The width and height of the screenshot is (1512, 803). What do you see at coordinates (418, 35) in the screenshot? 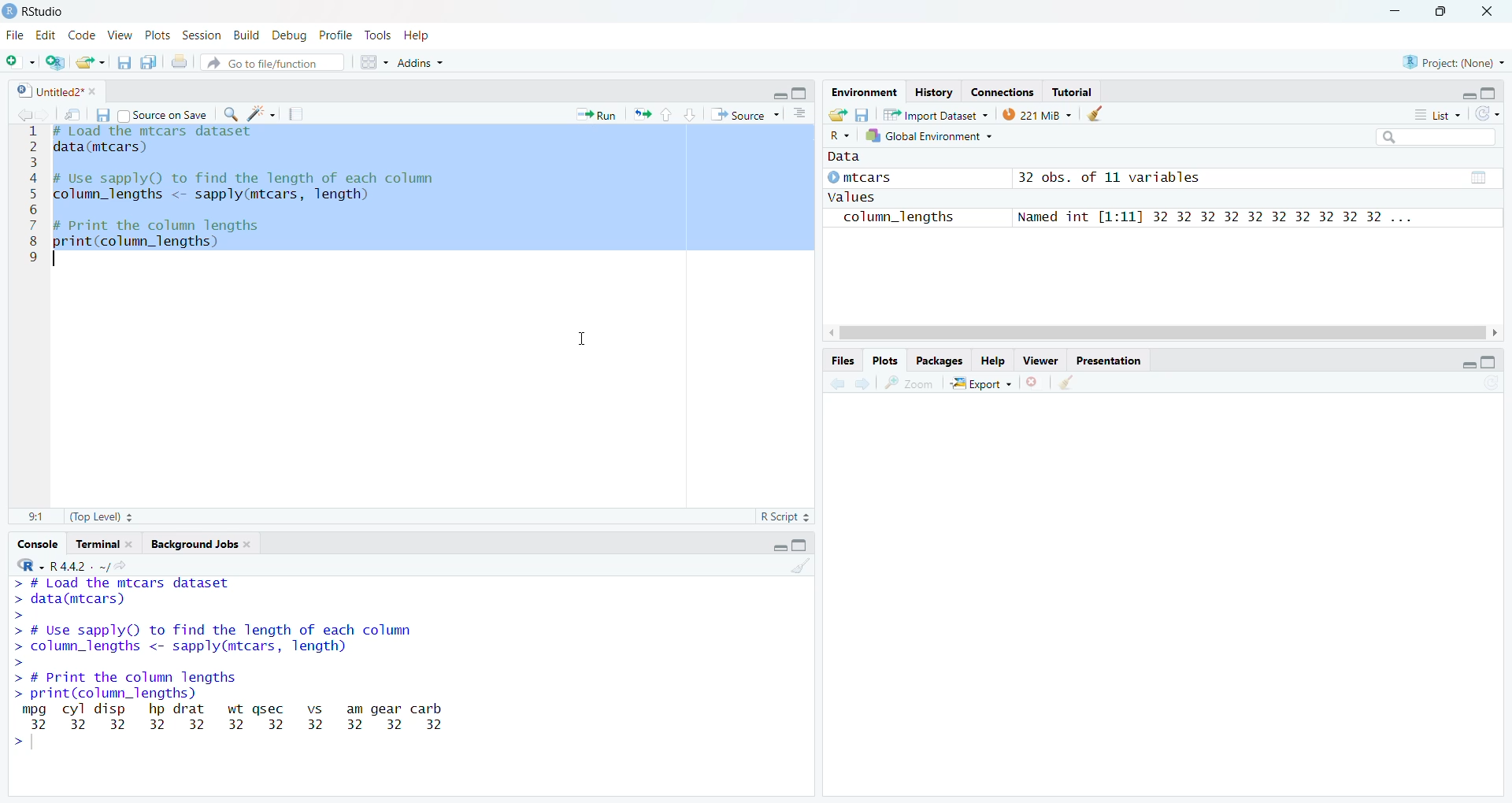
I see `Help` at bounding box center [418, 35].